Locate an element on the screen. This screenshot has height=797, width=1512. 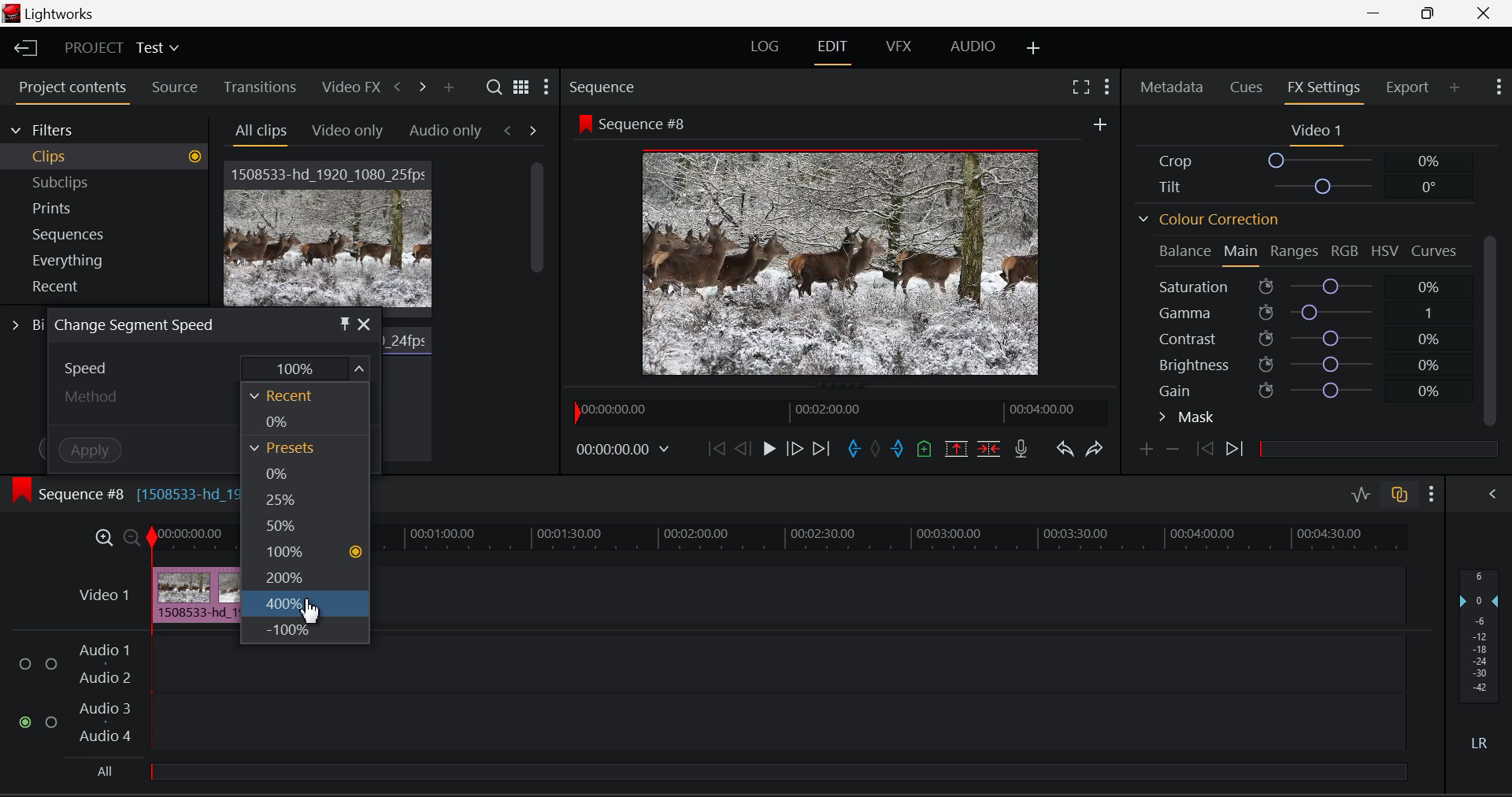
Balance is located at coordinates (1181, 252).